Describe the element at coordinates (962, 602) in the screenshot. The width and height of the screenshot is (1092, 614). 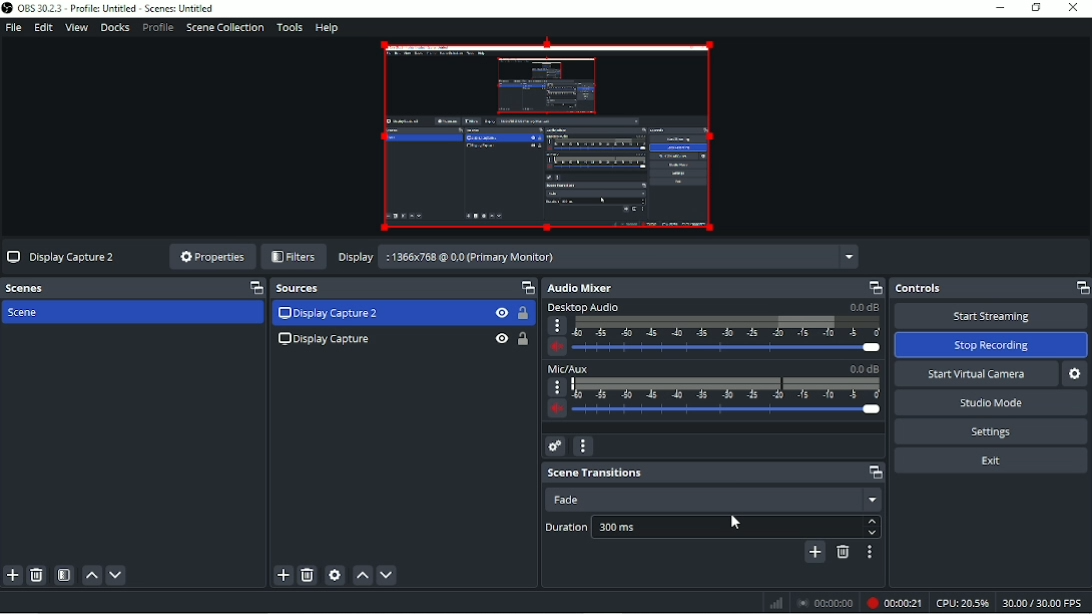
I see `CPU 20.5%` at that location.